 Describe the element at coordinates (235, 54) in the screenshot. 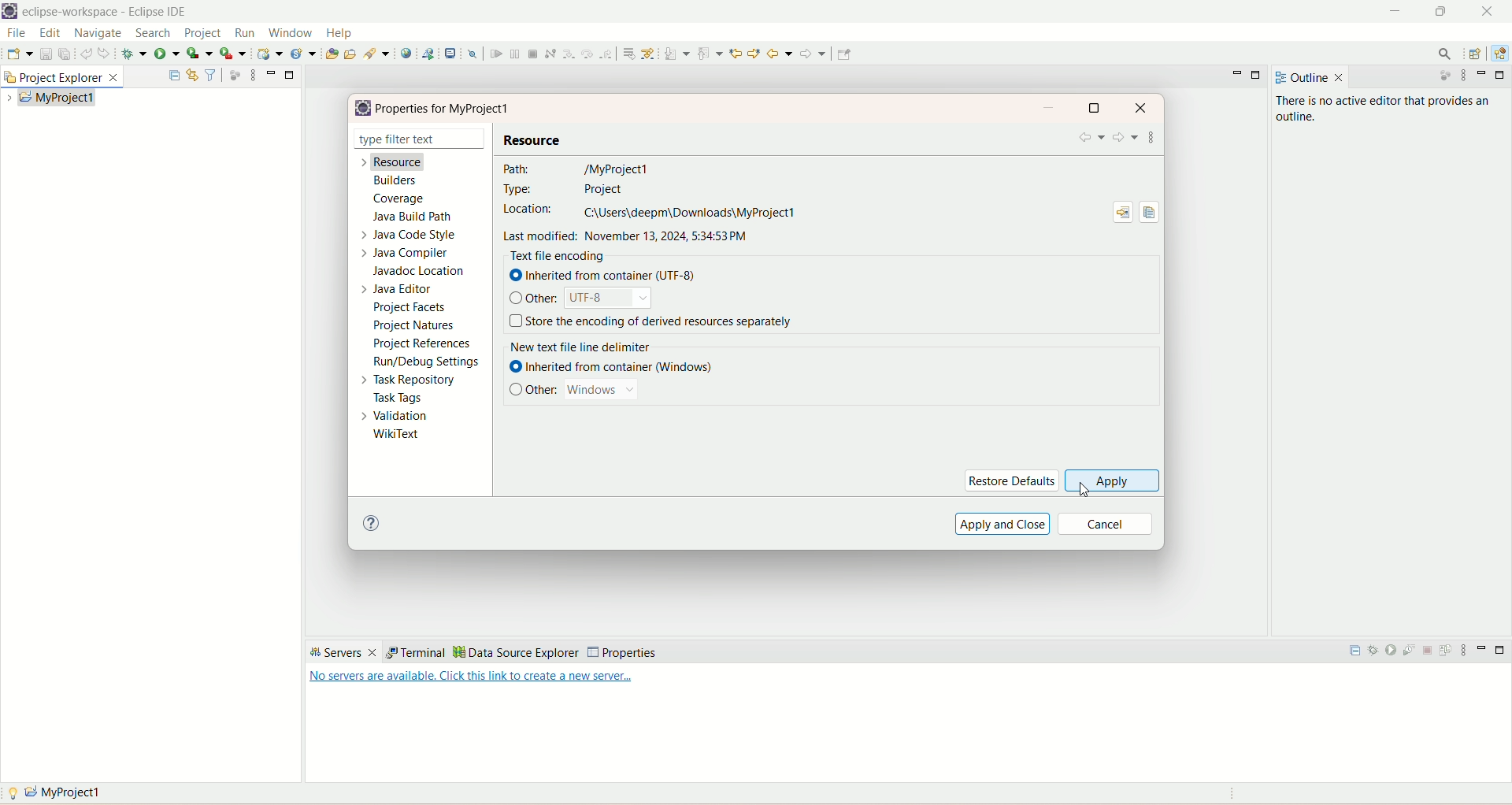

I see `run last tool` at that location.